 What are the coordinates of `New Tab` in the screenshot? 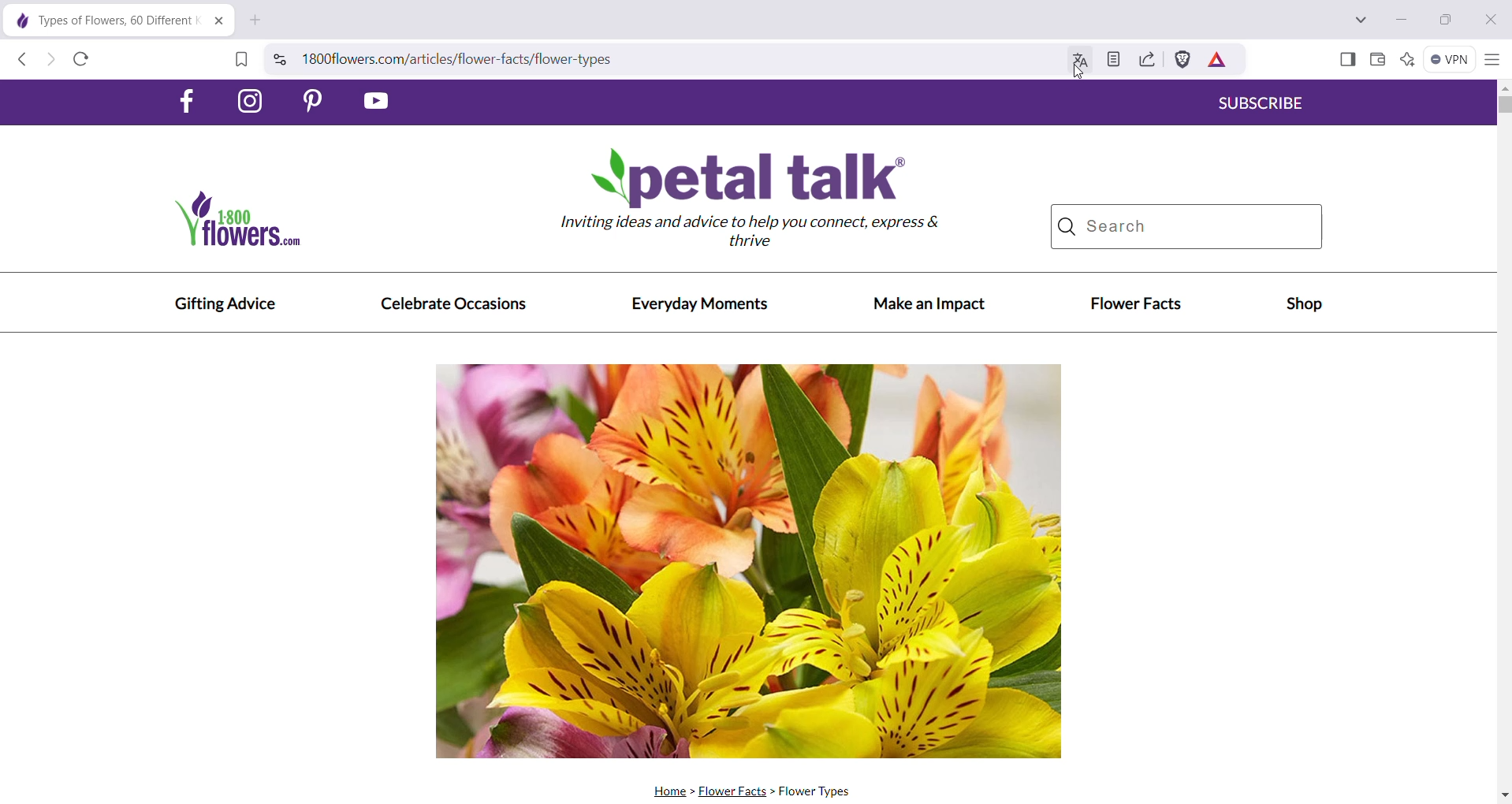 It's located at (256, 20).